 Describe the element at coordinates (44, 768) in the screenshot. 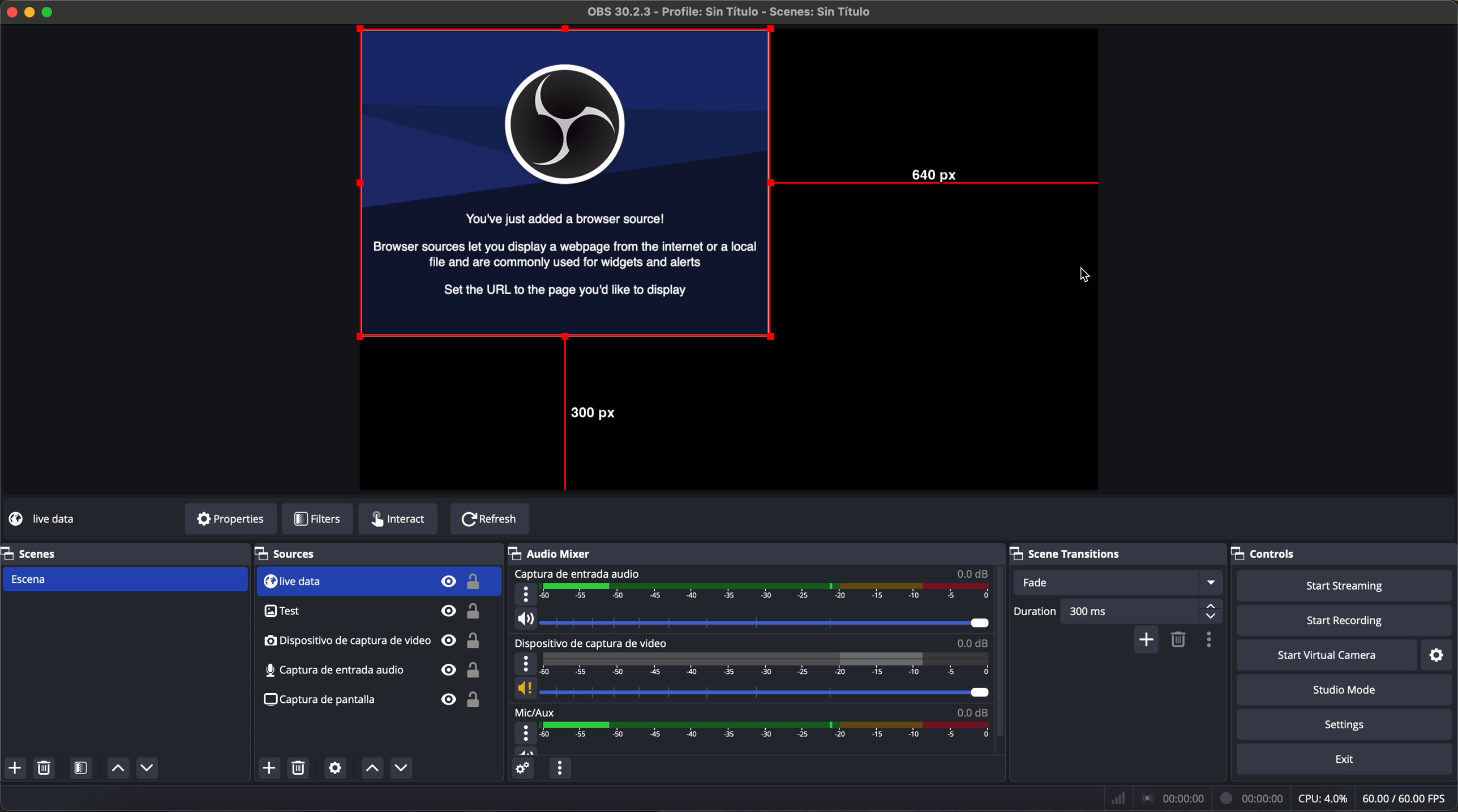

I see `remove selected scenes` at that location.